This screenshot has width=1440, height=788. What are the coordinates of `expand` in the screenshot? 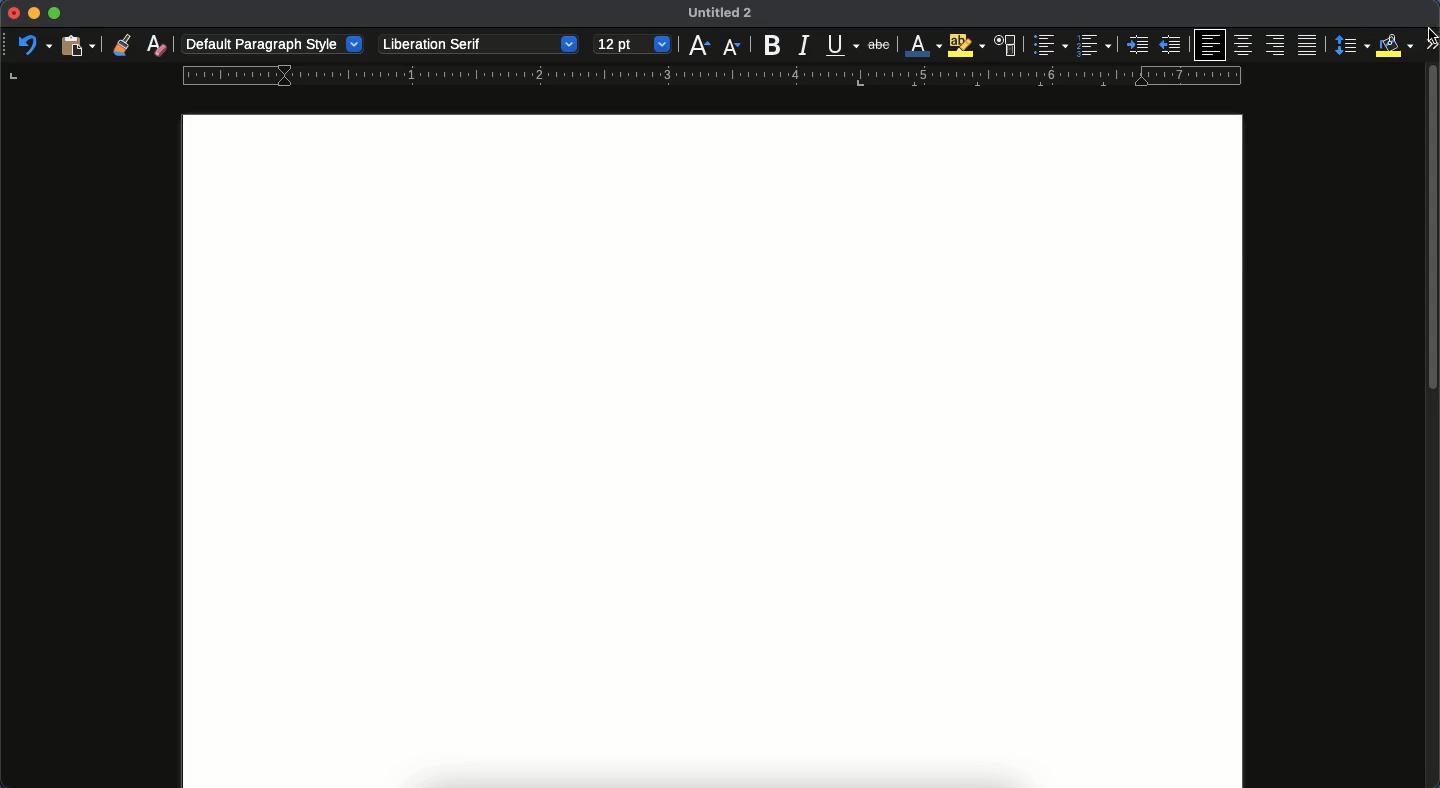 It's located at (1431, 51).